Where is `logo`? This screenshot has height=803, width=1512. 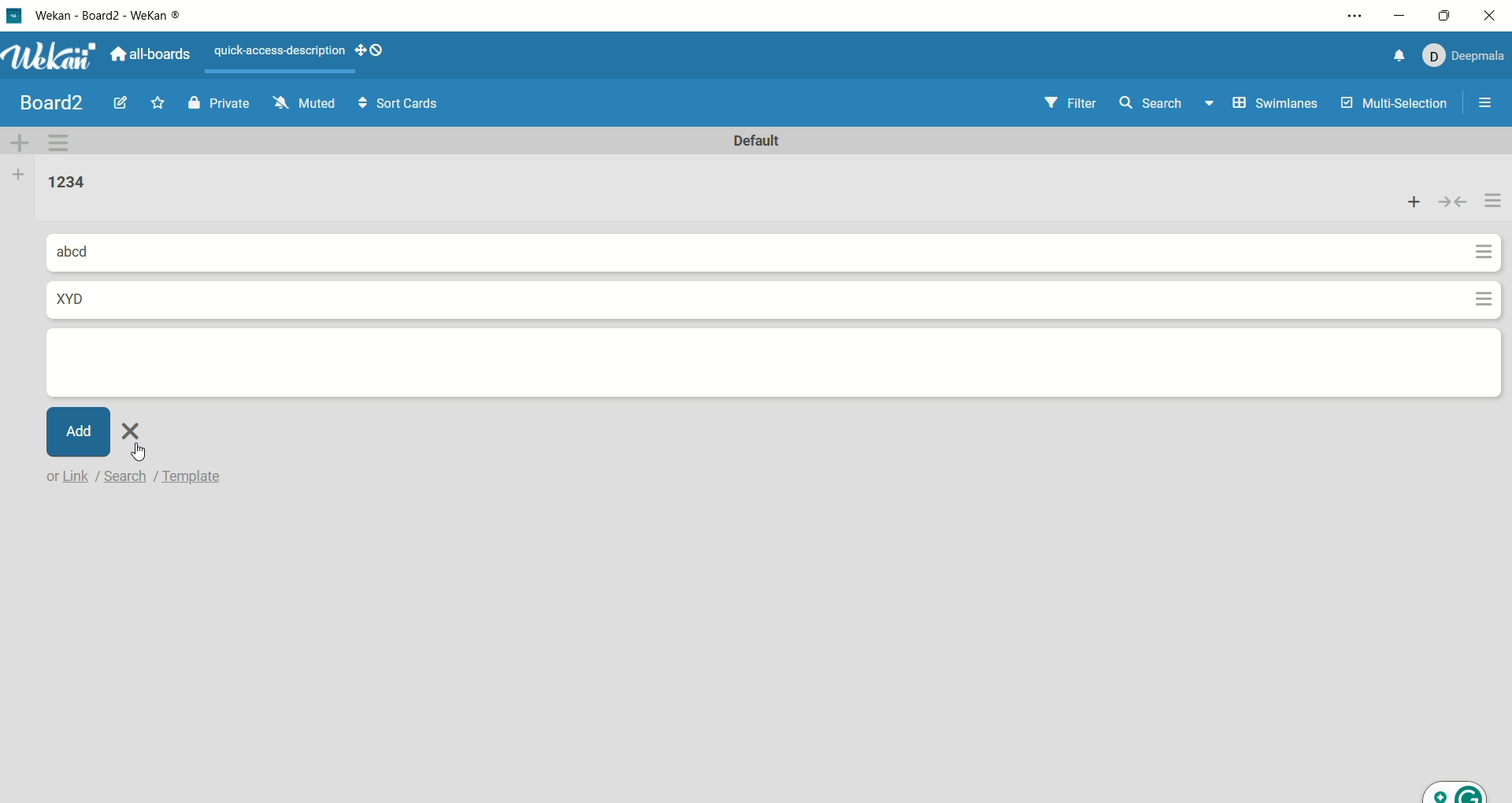
logo is located at coordinates (17, 13).